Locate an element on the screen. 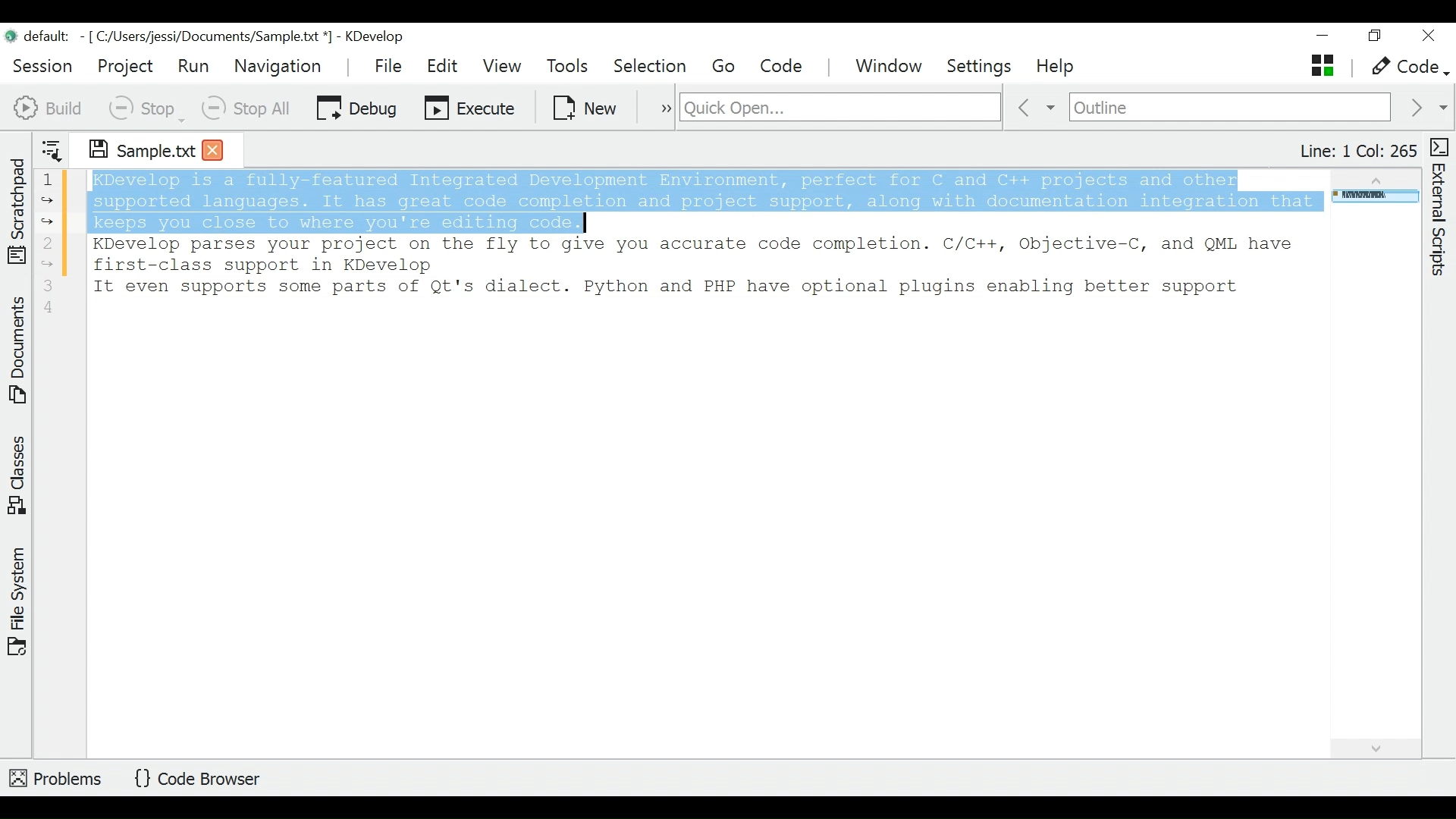  Line: 1 Col: 265 is located at coordinates (1357, 151).